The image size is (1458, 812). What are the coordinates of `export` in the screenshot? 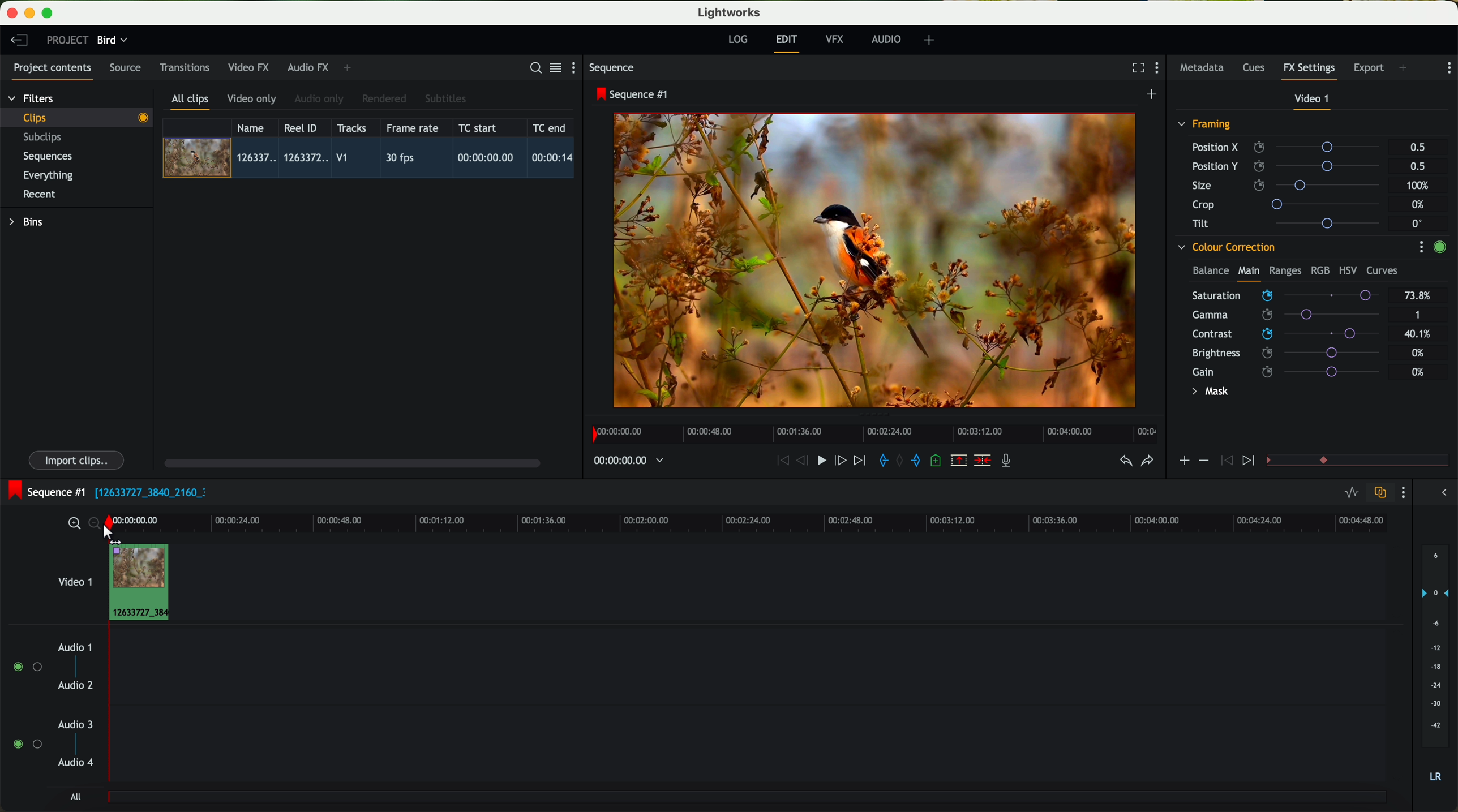 It's located at (1369, 69).